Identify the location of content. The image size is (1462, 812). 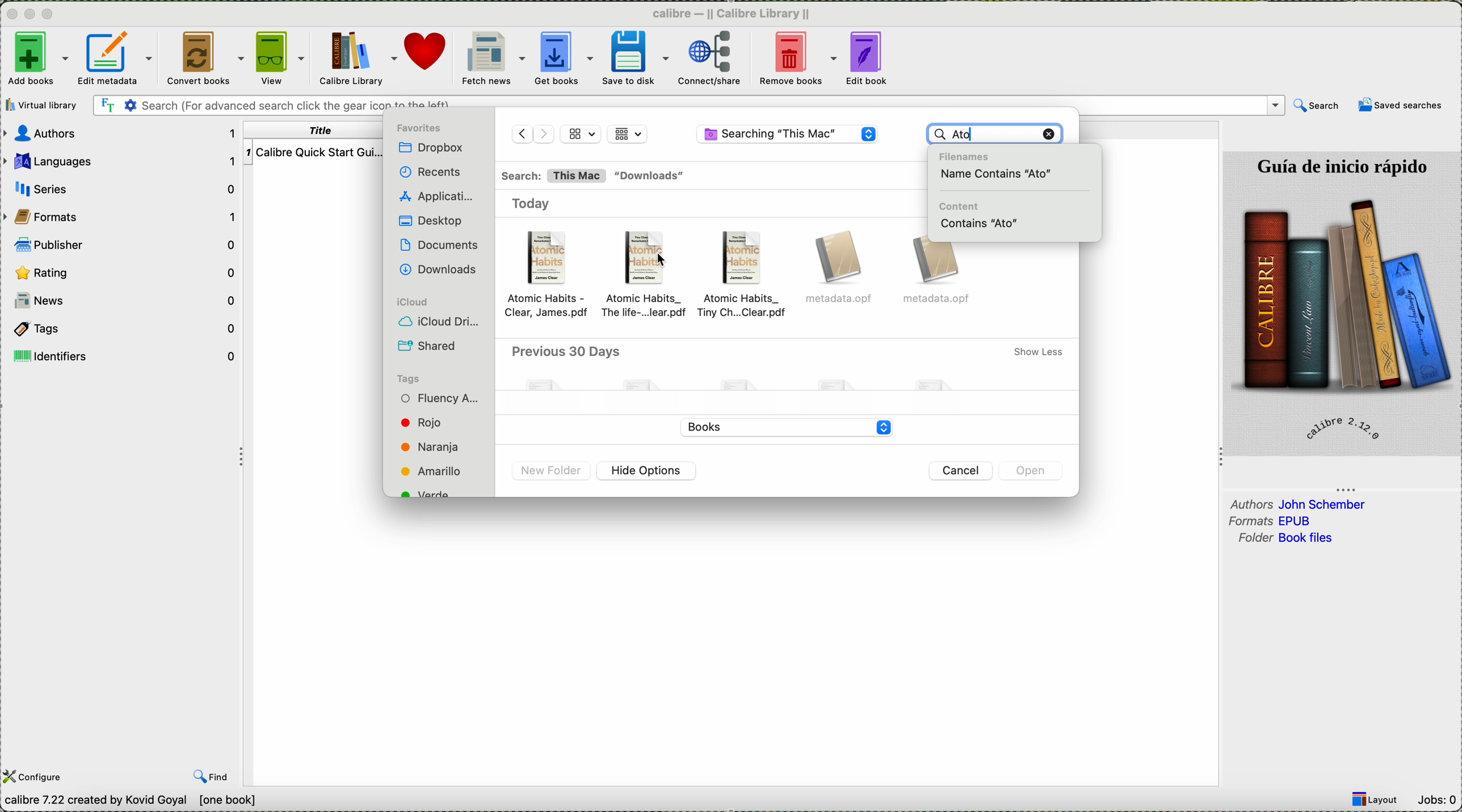
(961, 206).